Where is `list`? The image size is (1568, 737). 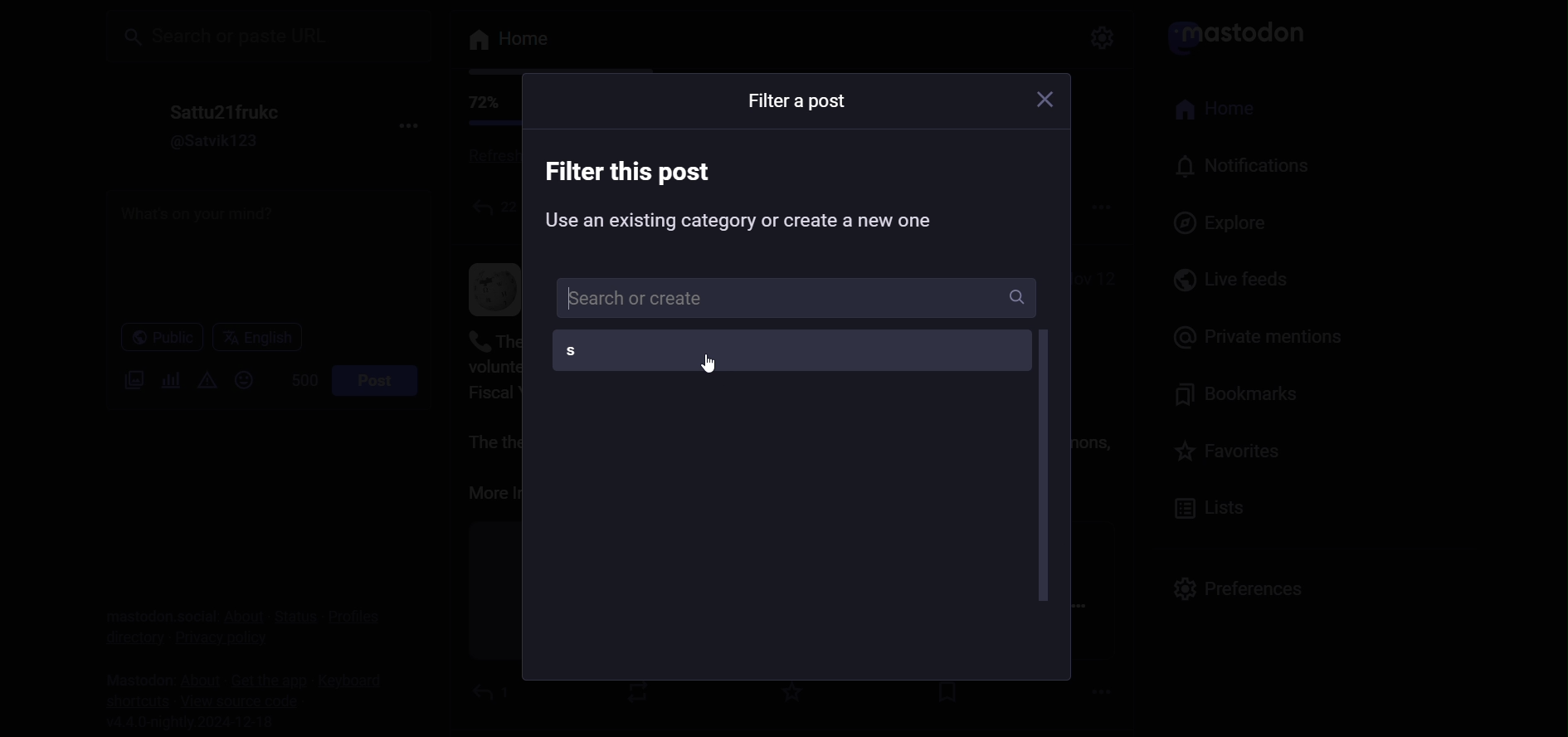
list is located at coordinates (1211, 509).